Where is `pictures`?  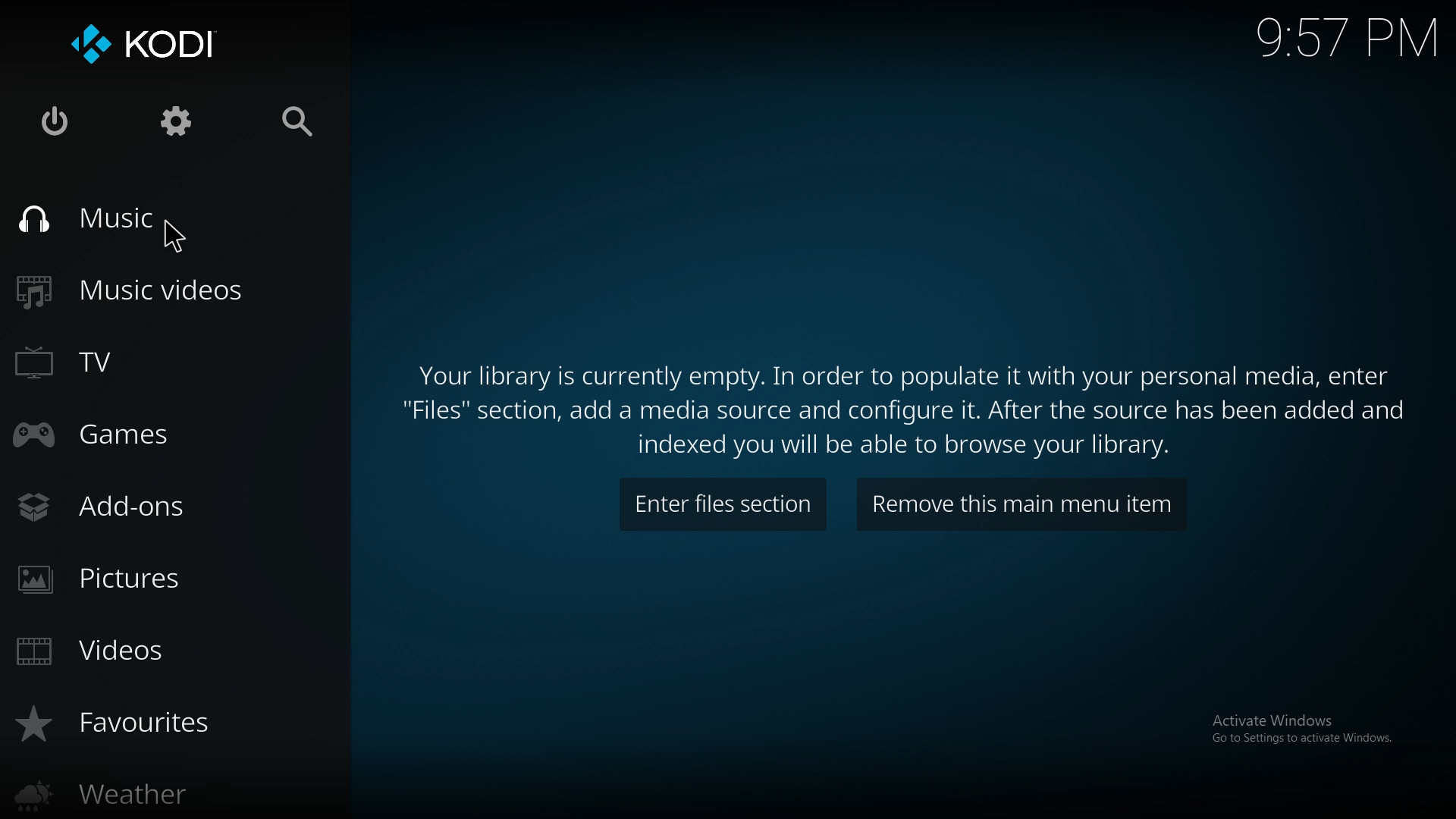
pictures is located at coordinates (149, 579).